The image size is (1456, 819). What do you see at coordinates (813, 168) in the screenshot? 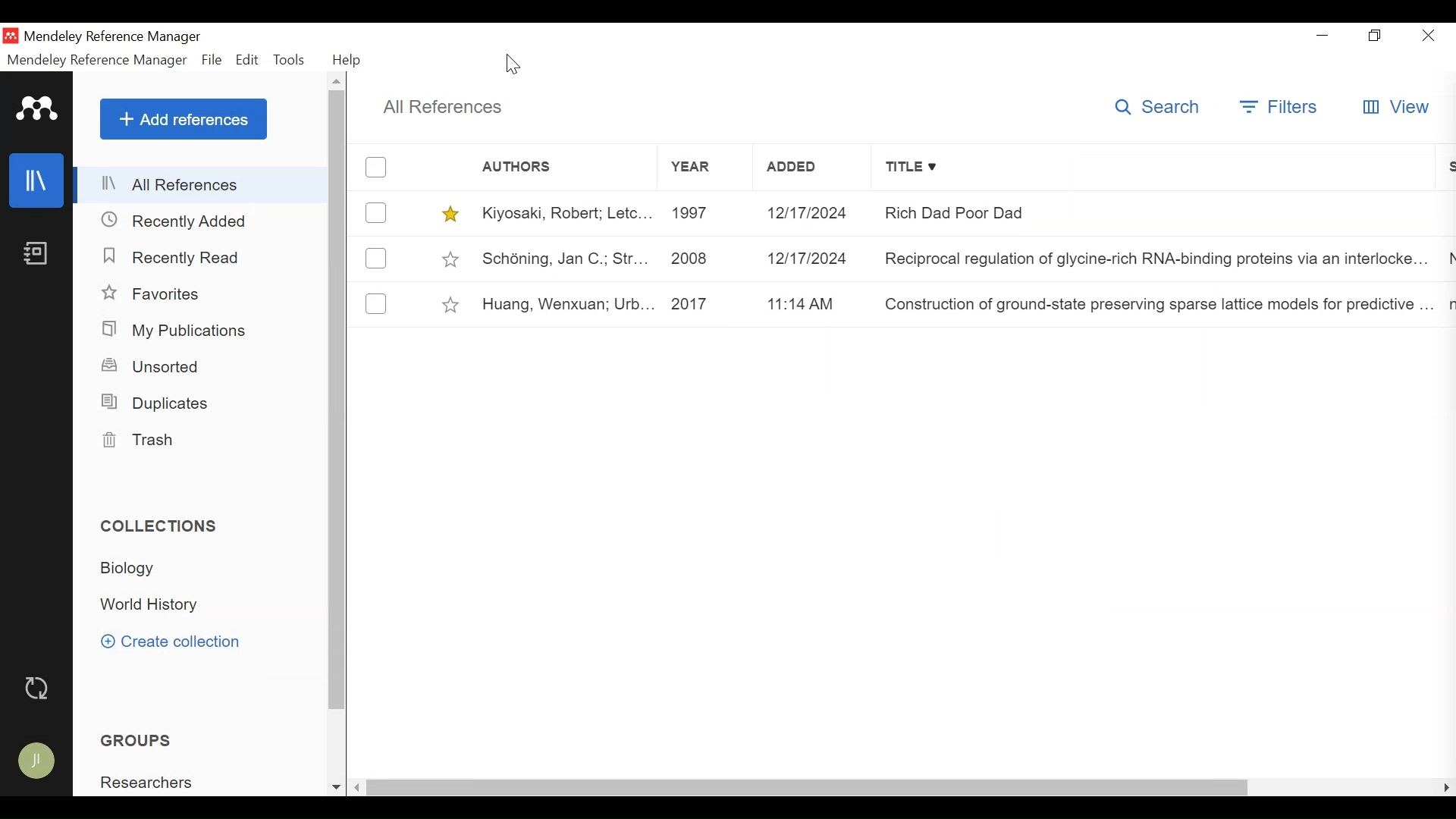
I see `Added` at bounding box center [813, 168].